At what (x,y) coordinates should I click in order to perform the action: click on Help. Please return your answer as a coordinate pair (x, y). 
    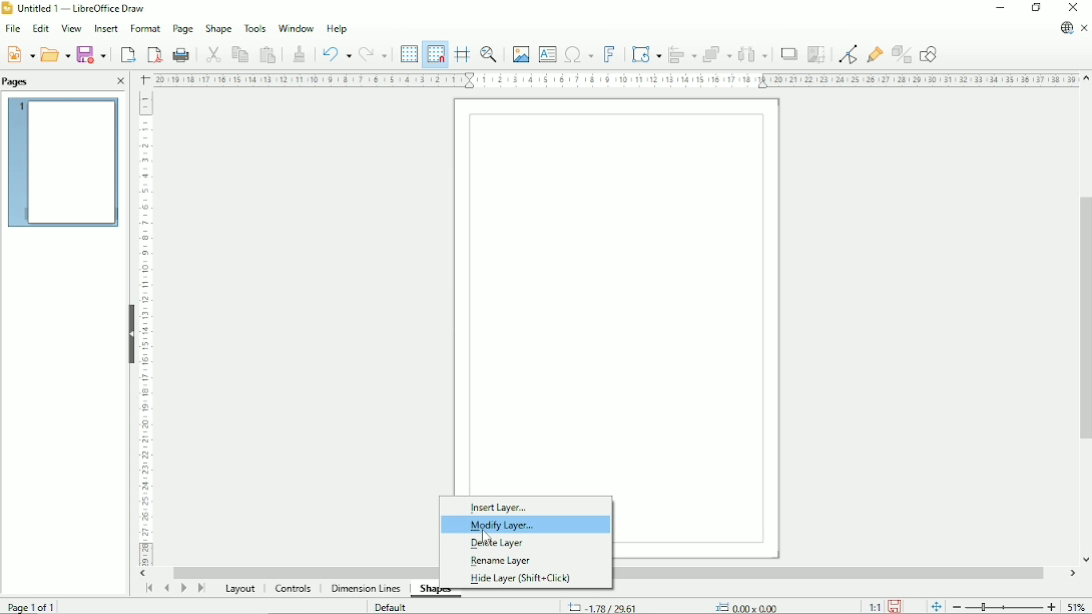
    Looking at the image, I should click on (336, 28).